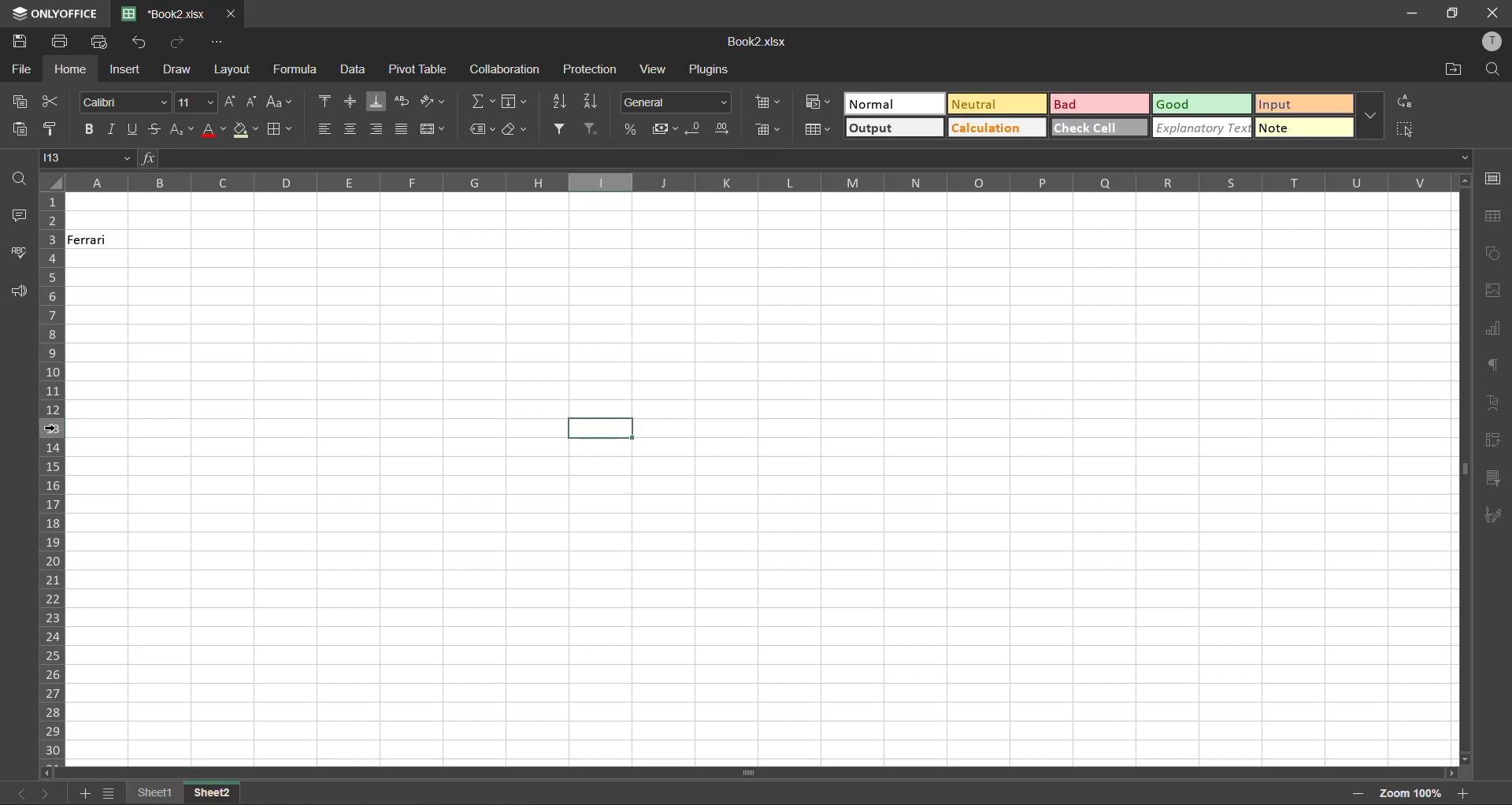 The width and height of the screenshot is (1512, 805). I want to click on charts, so click(1495, 331).